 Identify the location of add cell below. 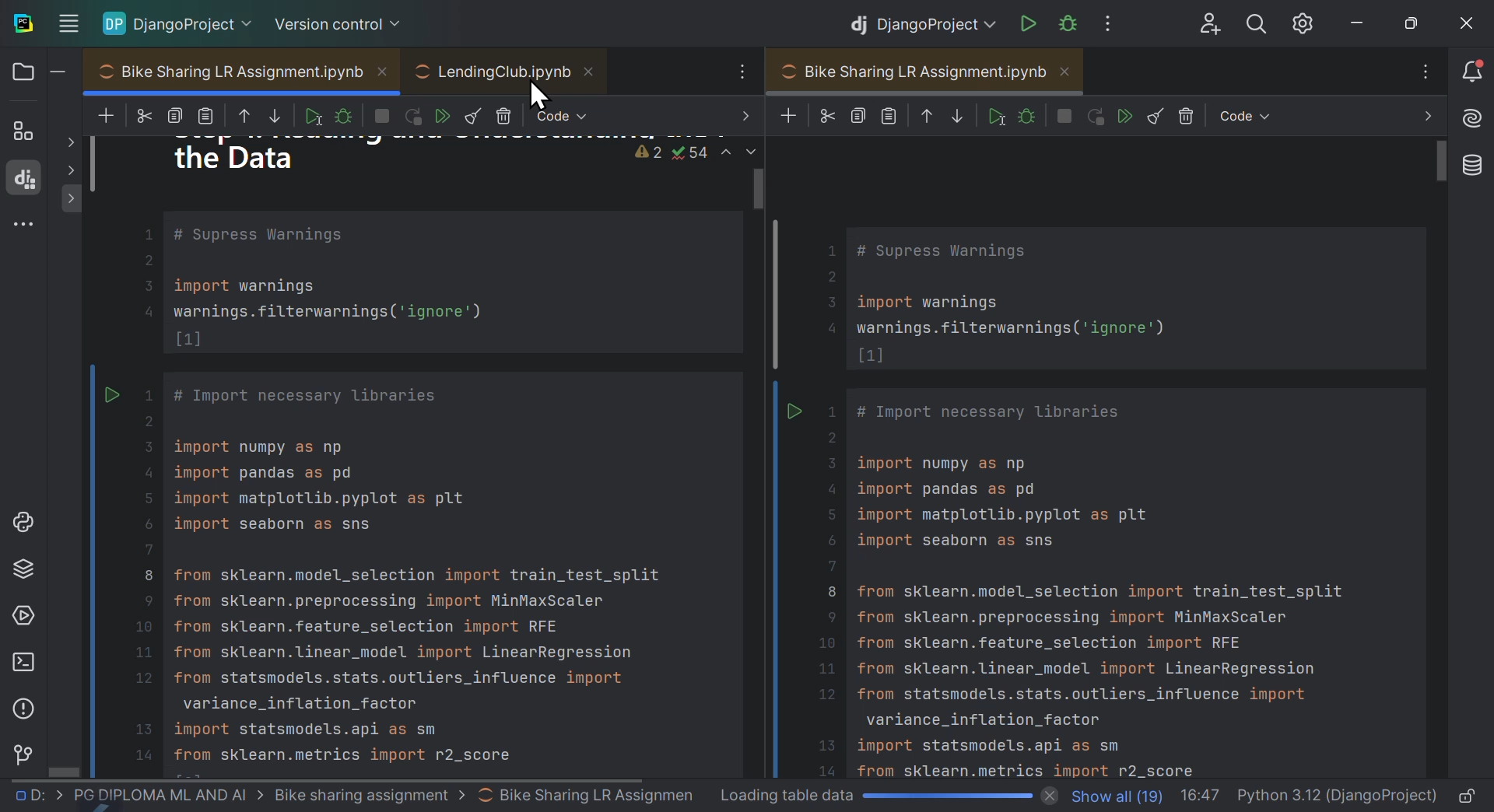
(104, 117).